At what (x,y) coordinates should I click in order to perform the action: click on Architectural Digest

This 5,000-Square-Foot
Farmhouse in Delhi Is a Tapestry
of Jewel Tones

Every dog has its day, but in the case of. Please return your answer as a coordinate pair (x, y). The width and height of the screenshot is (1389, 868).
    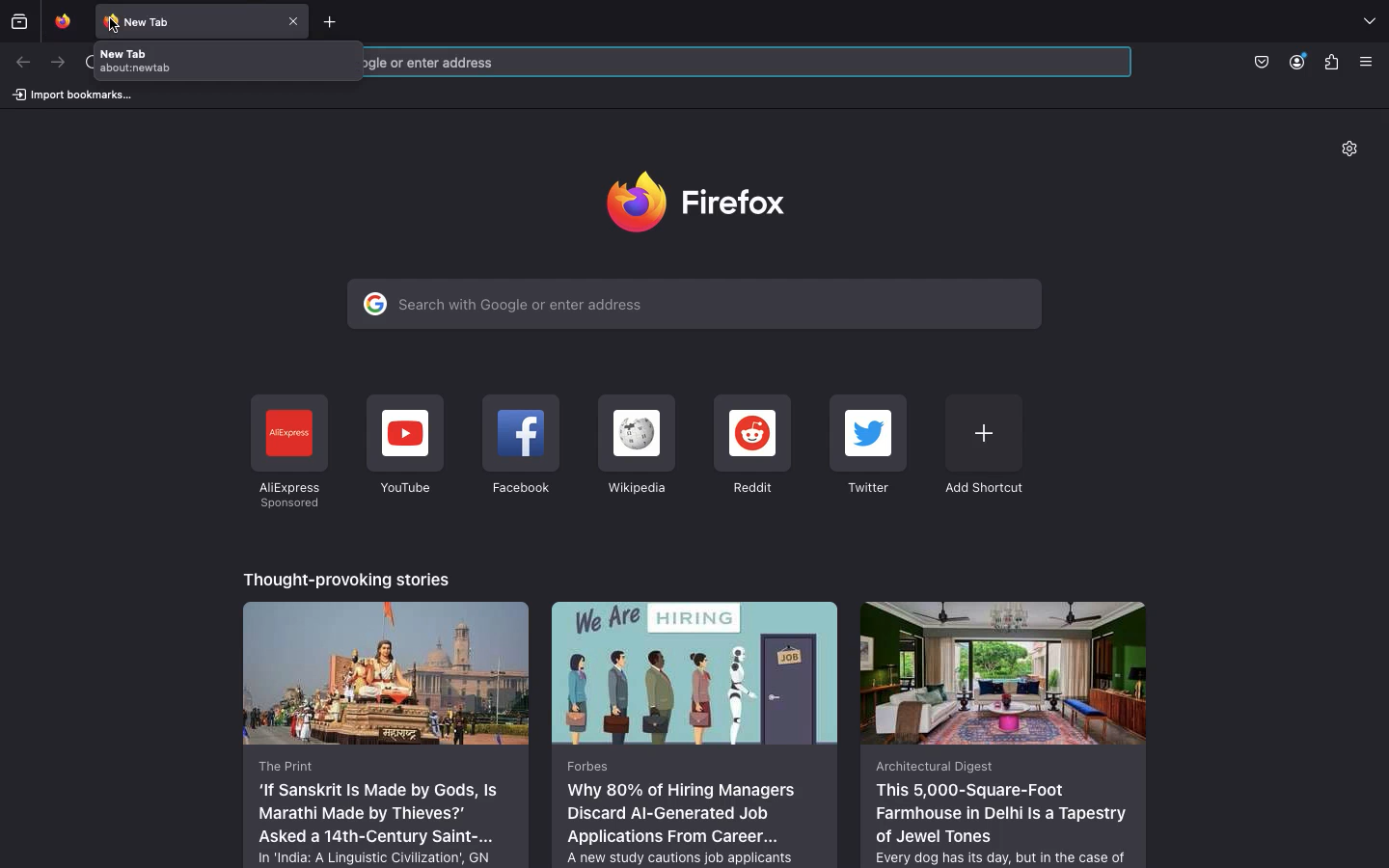
    Looking at the image, I should click on (1002, 733).